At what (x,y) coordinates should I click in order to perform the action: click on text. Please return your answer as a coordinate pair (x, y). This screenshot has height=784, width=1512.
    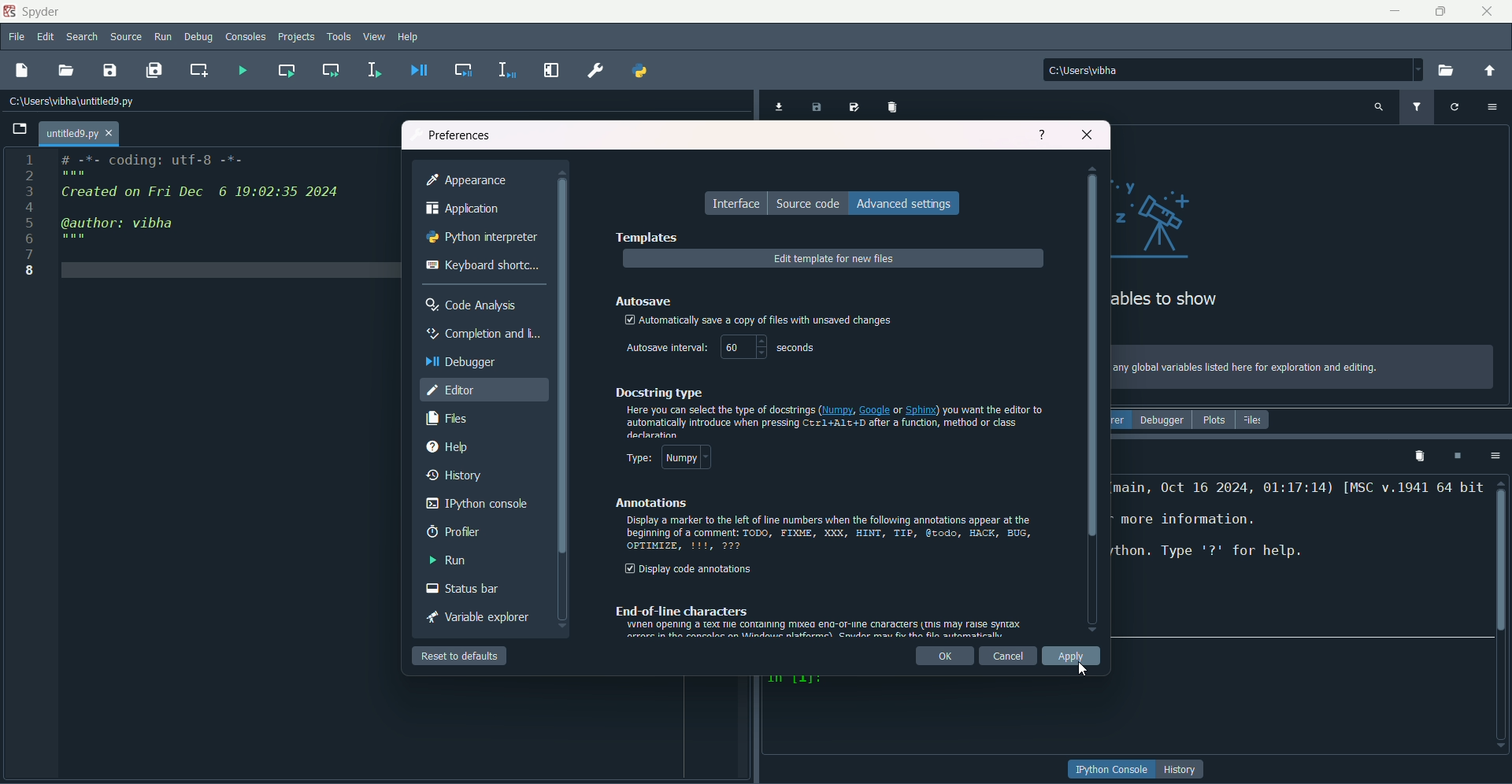
    Looking at the image, I should click on (835, 421).